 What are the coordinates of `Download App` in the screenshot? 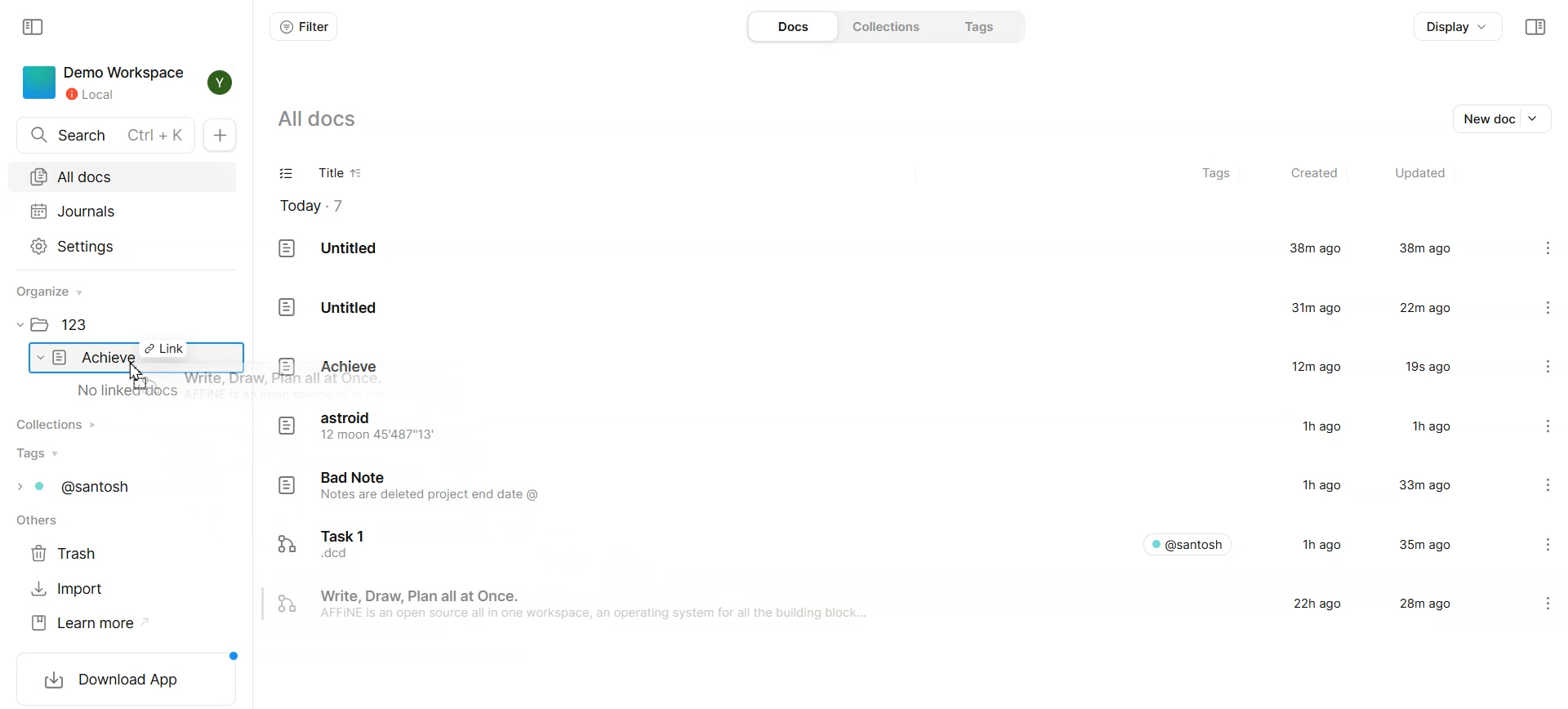 It's located at (127, 677).